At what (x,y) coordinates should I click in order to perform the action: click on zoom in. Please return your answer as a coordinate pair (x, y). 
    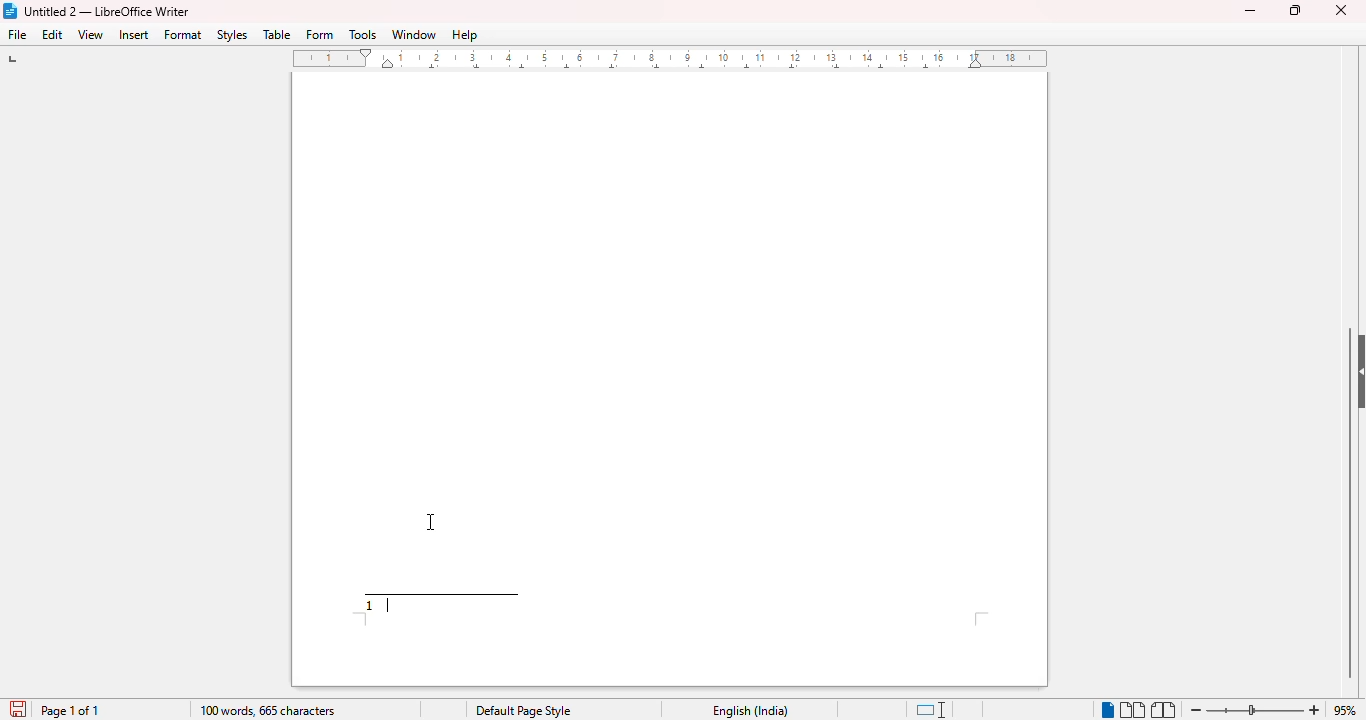
    Looking at the image, I should click on (1315, 709).